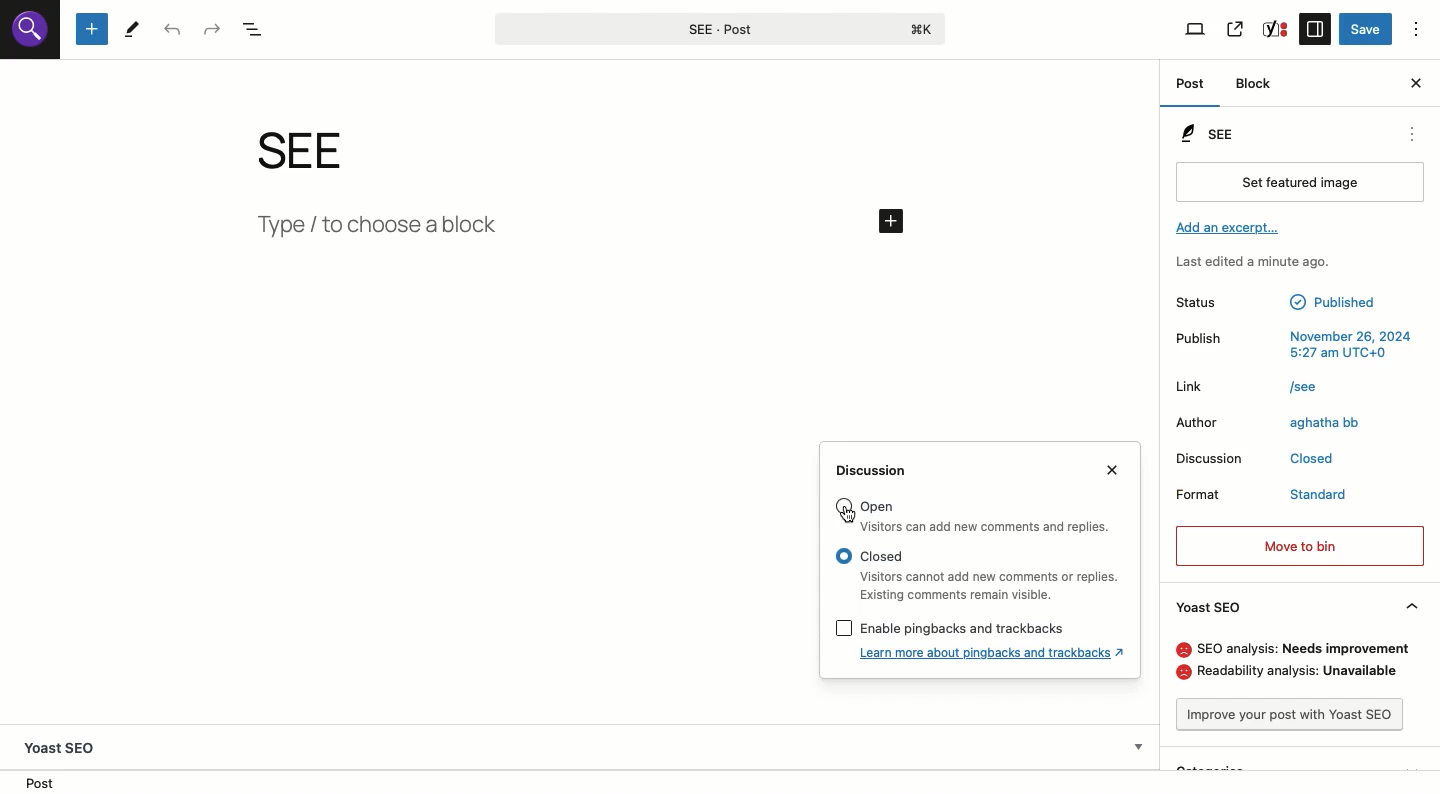  I want to click on Add an excerpt, so click(1231, 228).